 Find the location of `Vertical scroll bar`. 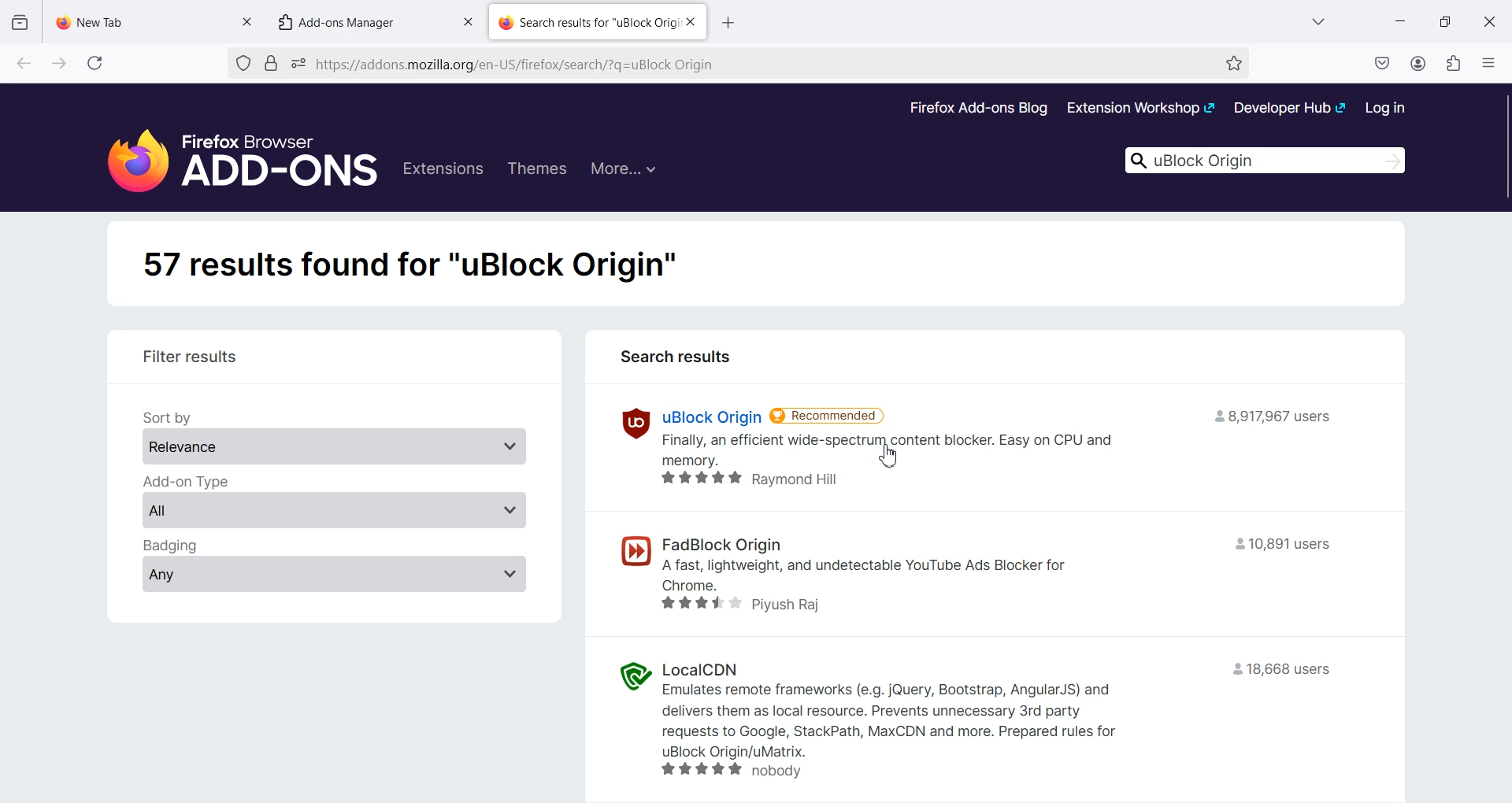

Vertical scroll bar is located at coordinates (1503, 445).